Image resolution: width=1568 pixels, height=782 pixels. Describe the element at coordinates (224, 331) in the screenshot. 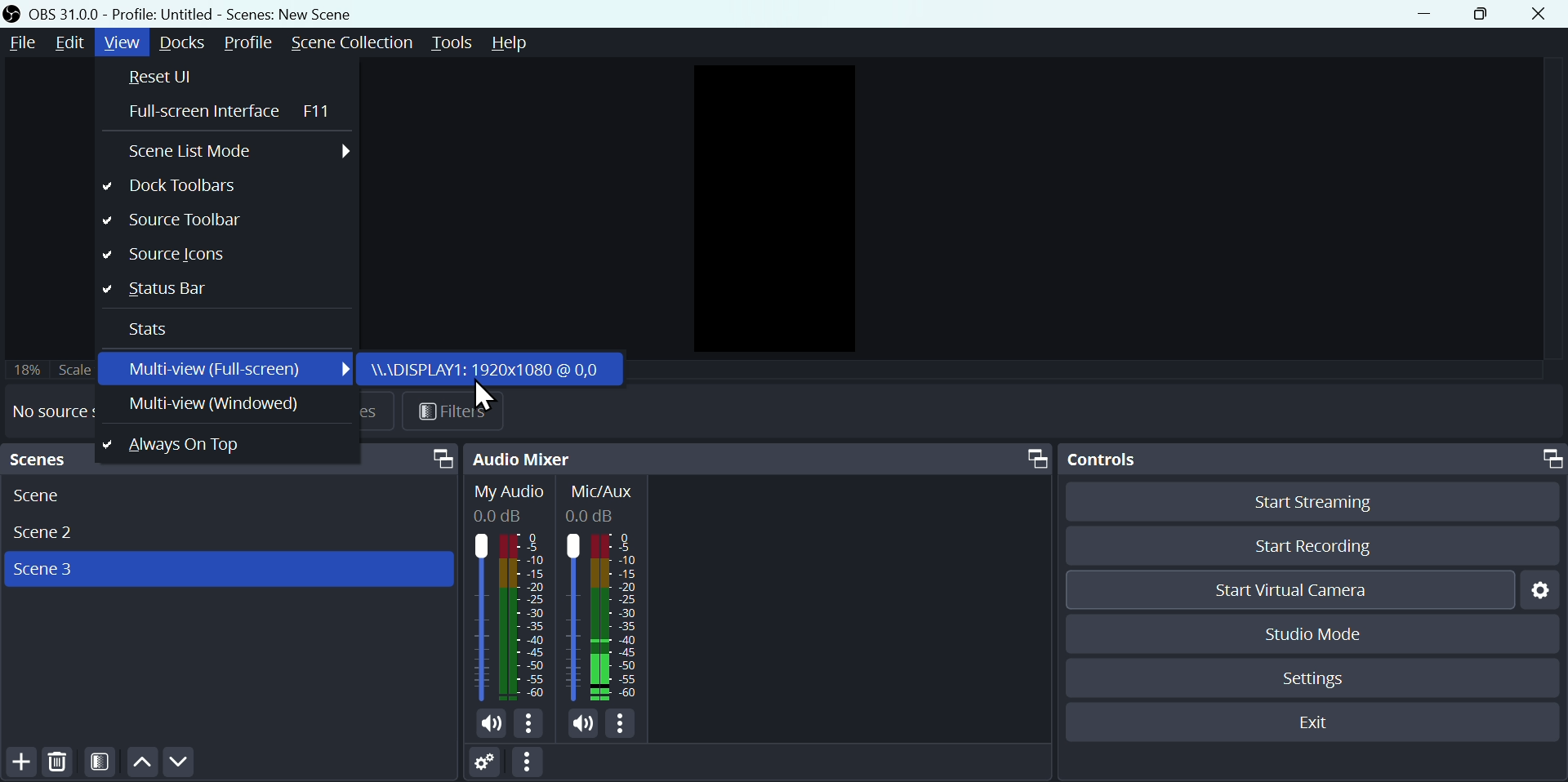

I see `Stats` at that location.